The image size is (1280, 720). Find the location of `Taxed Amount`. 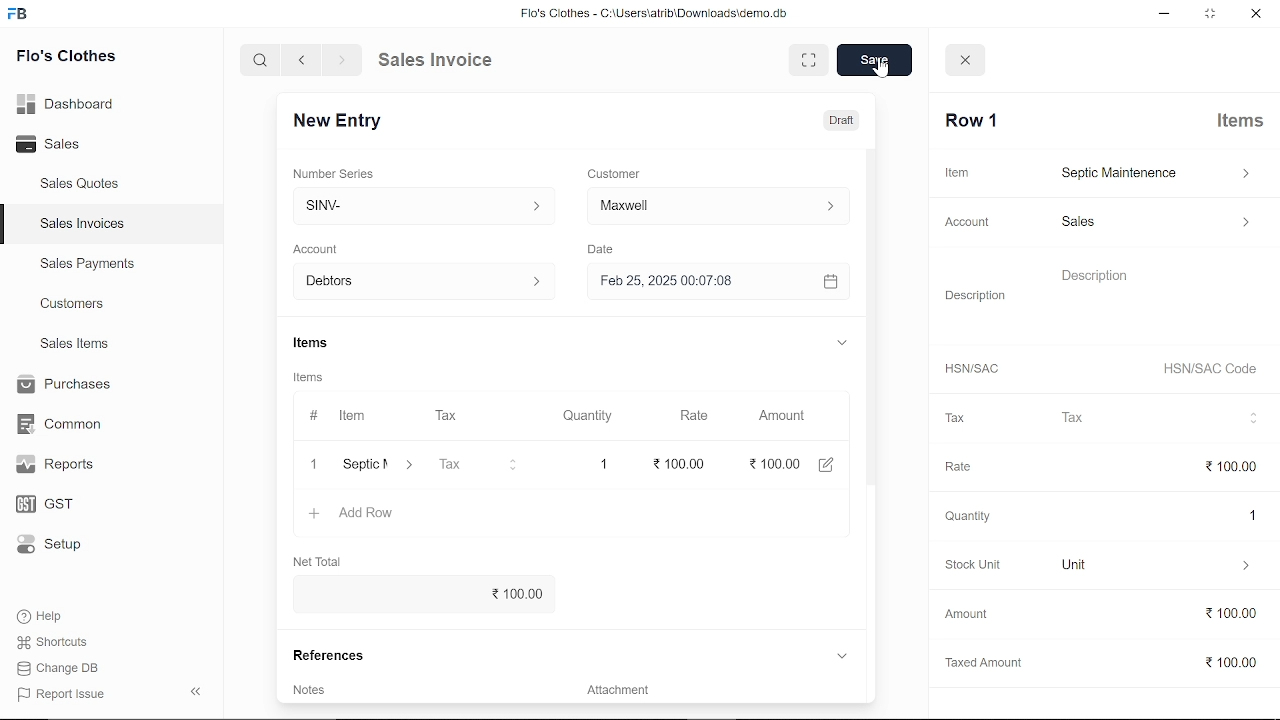

Taxed Amount is located at coordinates (978, 659).